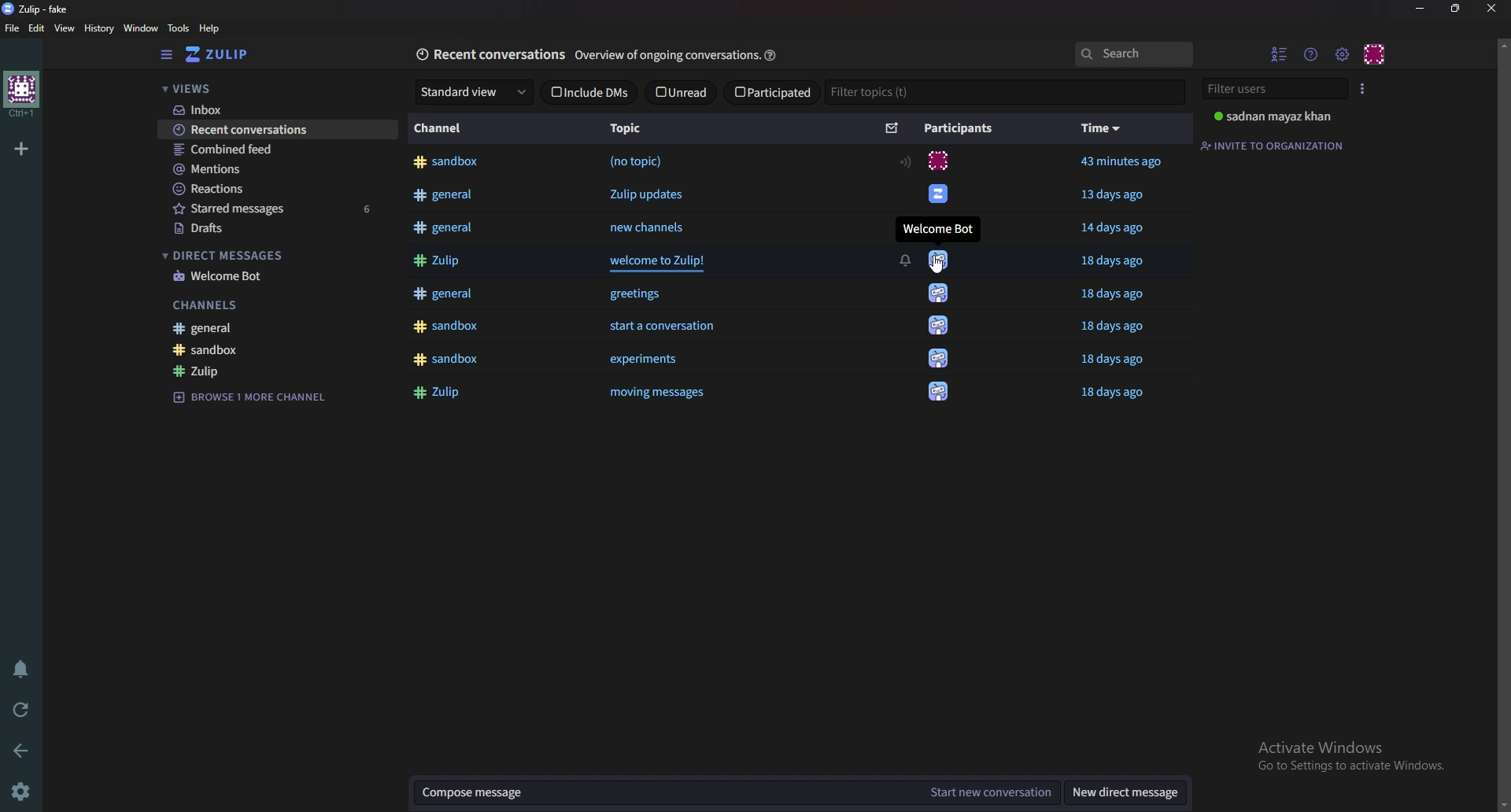  What do you see at coordinates (447, 161) in the screenshot?
I see `#sandbox` at bounding box center [447, 161].